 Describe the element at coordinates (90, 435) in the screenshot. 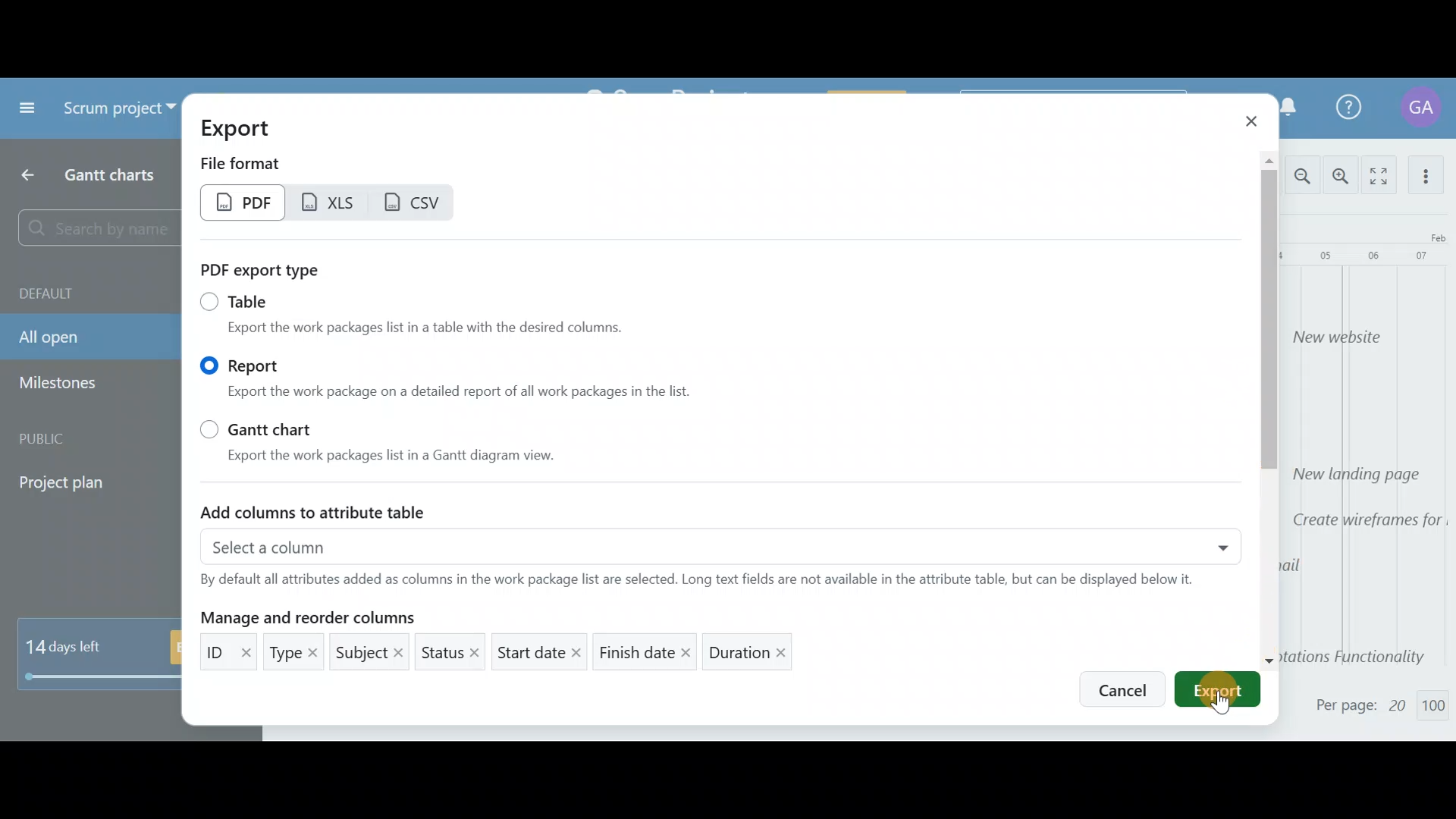

I see `Public` at that location.